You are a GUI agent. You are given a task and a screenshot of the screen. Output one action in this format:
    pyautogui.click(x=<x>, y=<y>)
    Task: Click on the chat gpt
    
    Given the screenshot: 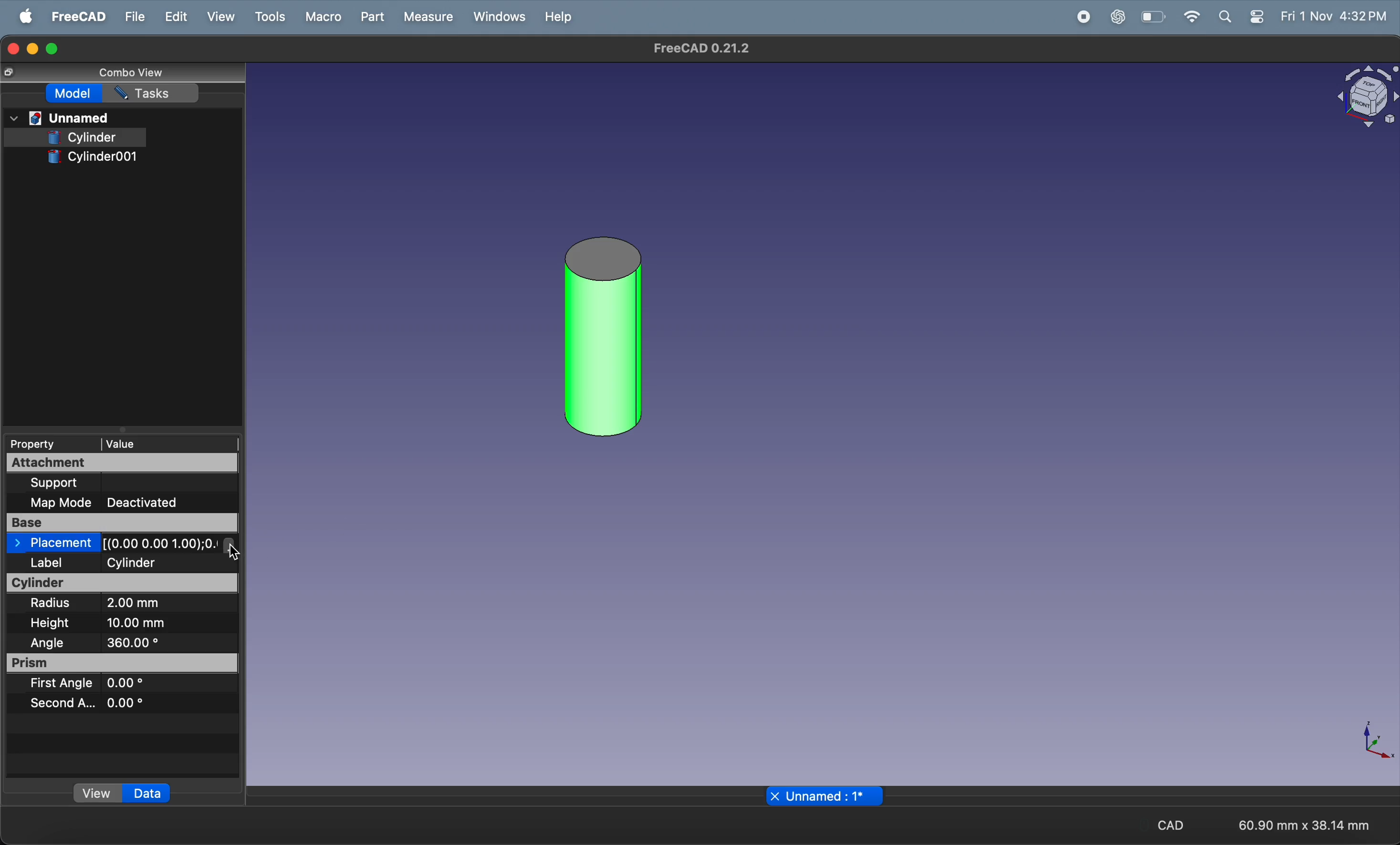 What is the action you would take?
    pyautogui.click(x=1115, y=18)
    